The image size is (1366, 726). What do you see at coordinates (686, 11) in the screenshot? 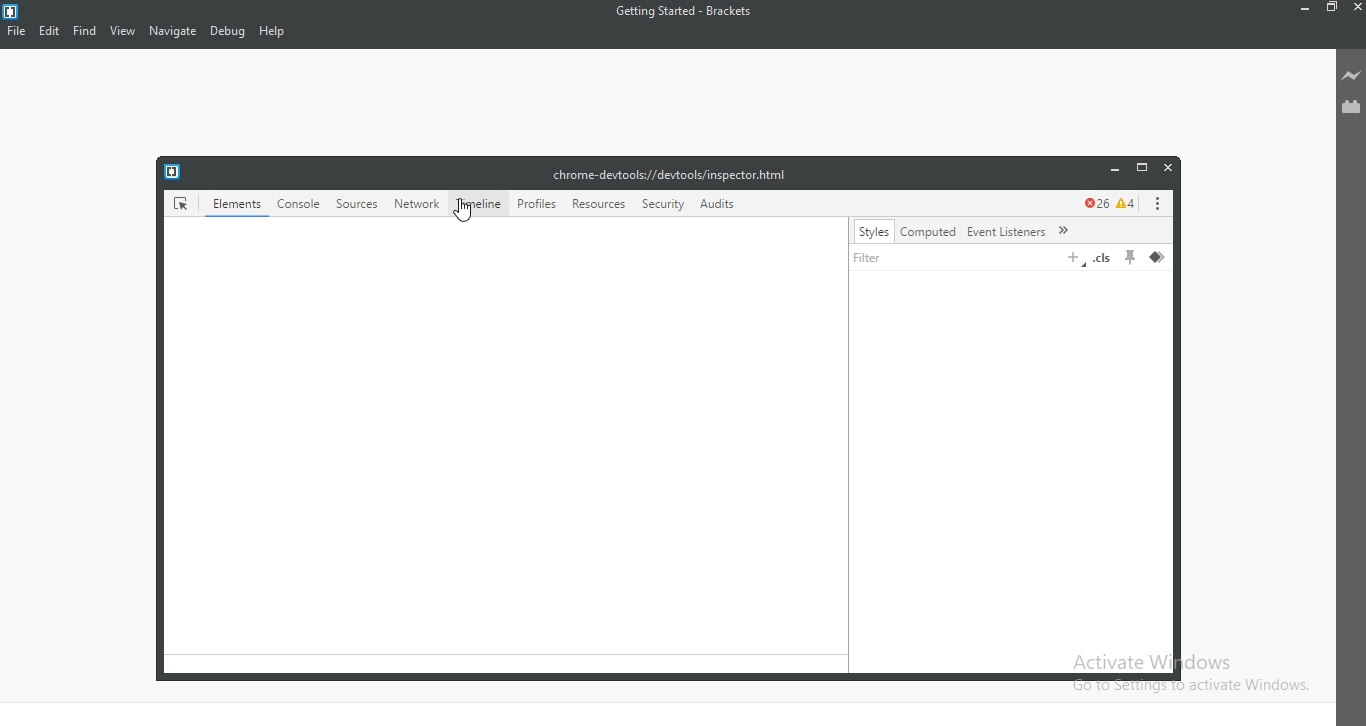
I see `Getting Started - Brackets` at bounding box center [686, 11].